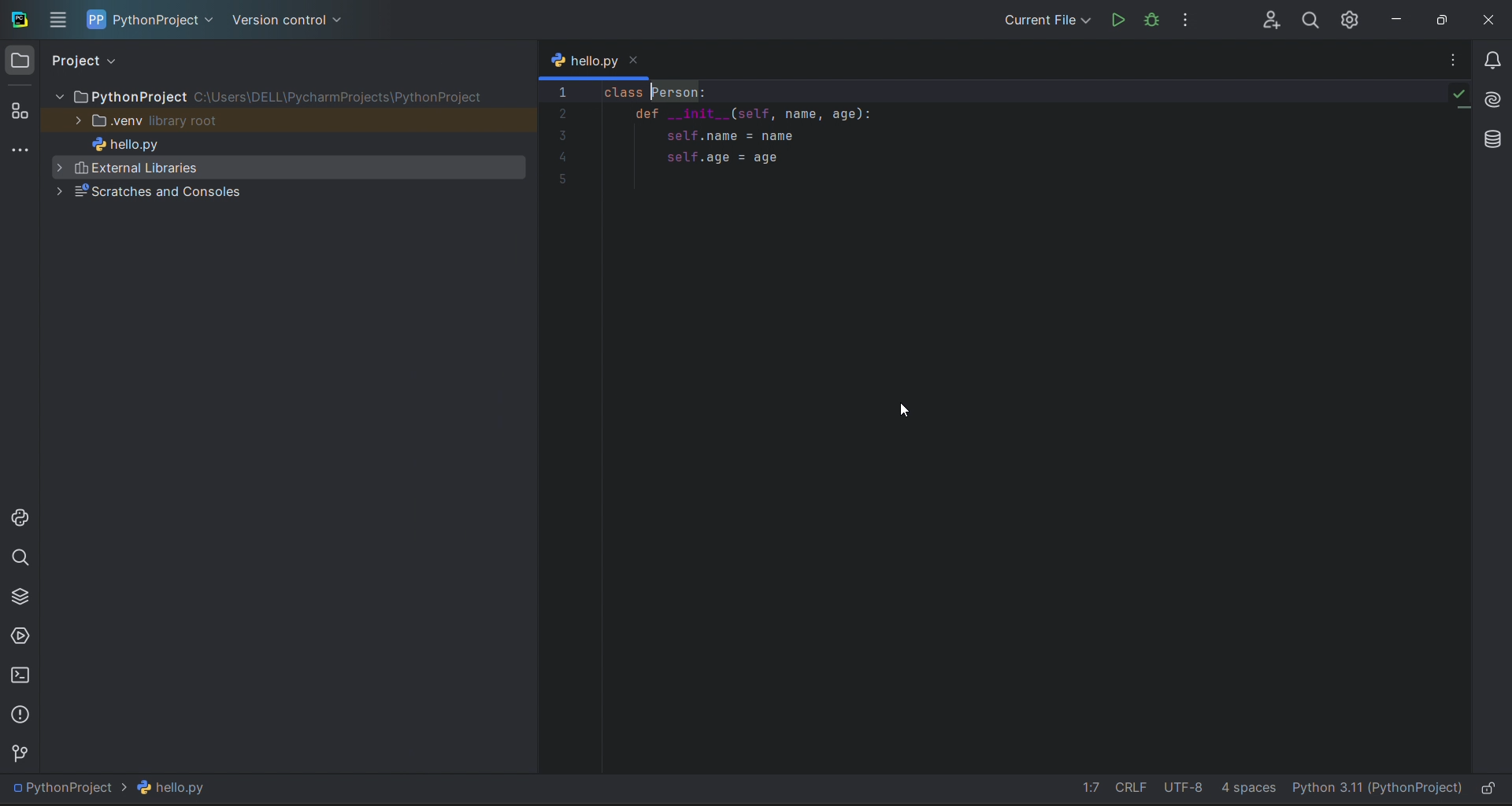  I want to click on class [Person:
def init__(self, name, age):
self.name = name
self.age = age, so click(775, 131).